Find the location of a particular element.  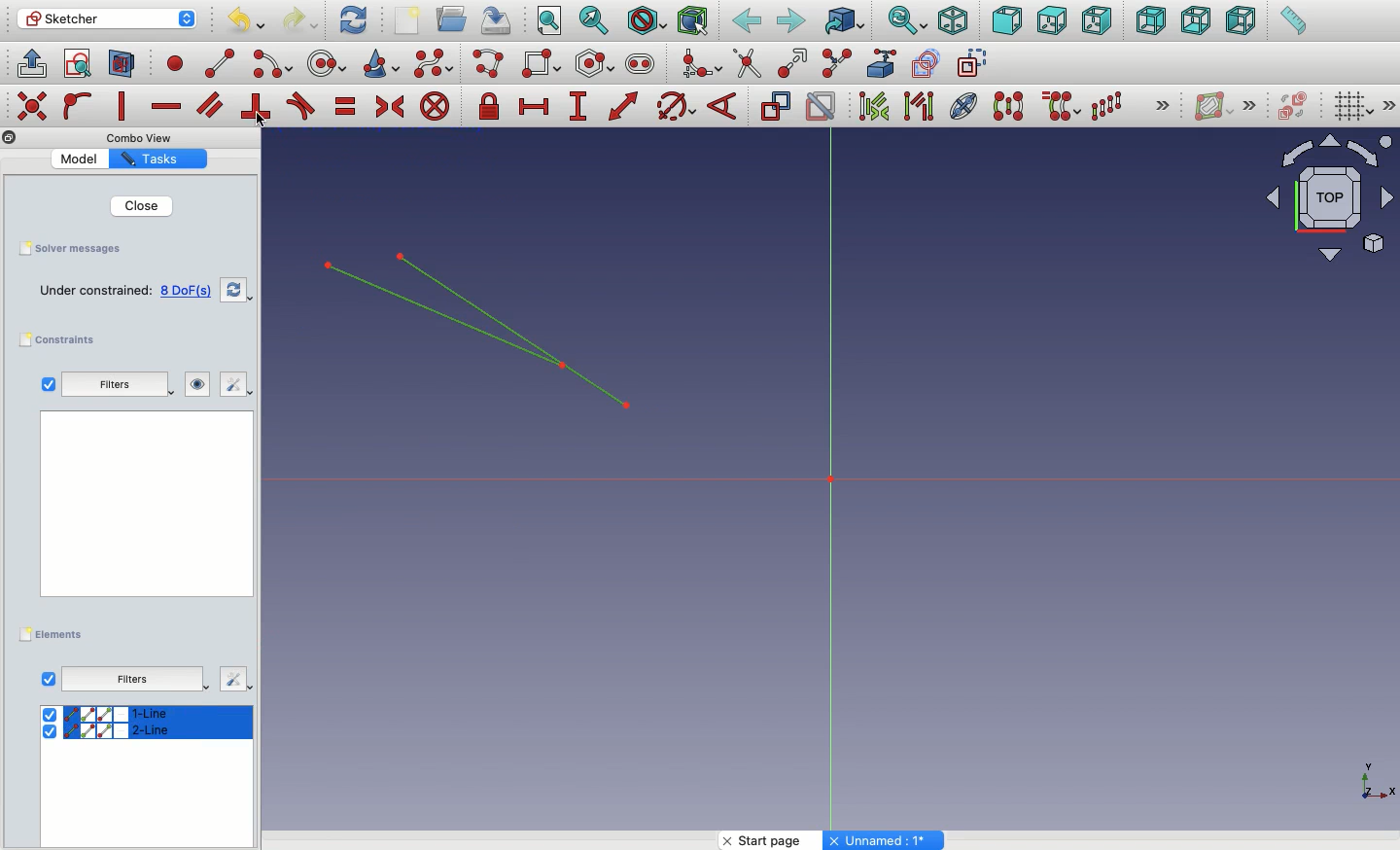

Value is located at coordinates (79, 159).